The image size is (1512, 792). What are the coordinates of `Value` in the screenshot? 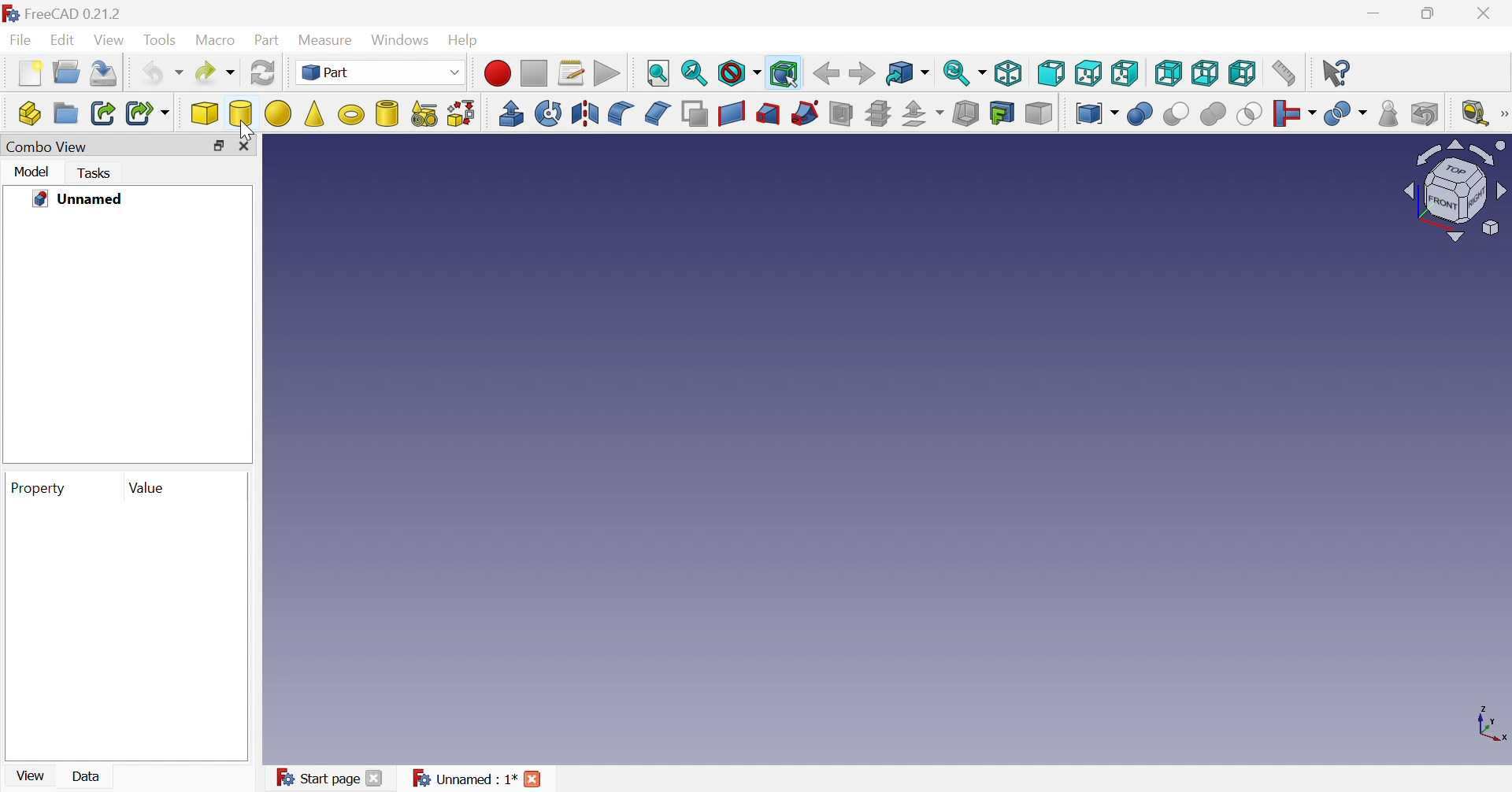 It's located at (149, 489).